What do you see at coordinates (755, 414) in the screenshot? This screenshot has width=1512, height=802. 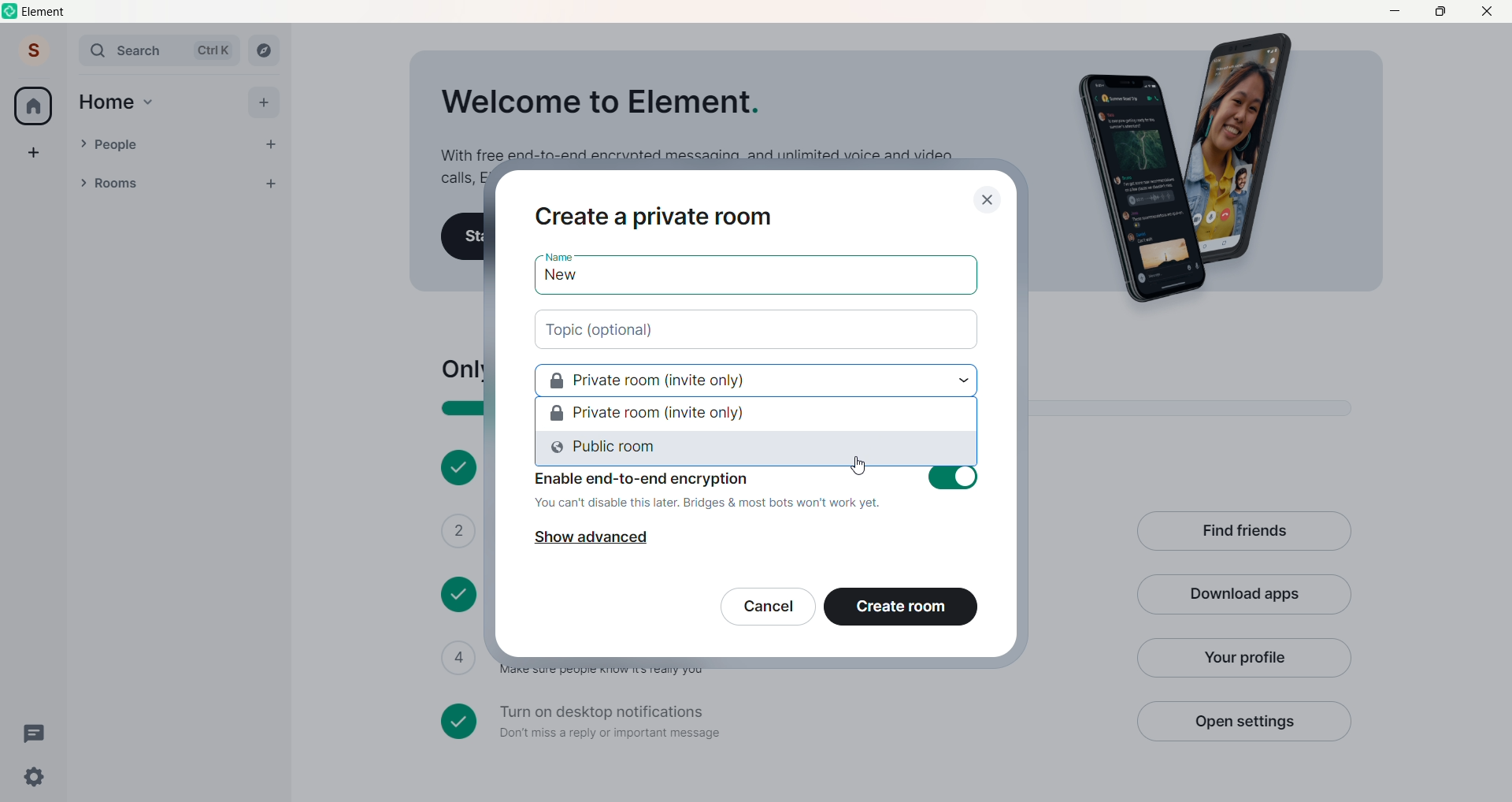 I see `Private Room (invite only)` at bounding box center [755, 414].